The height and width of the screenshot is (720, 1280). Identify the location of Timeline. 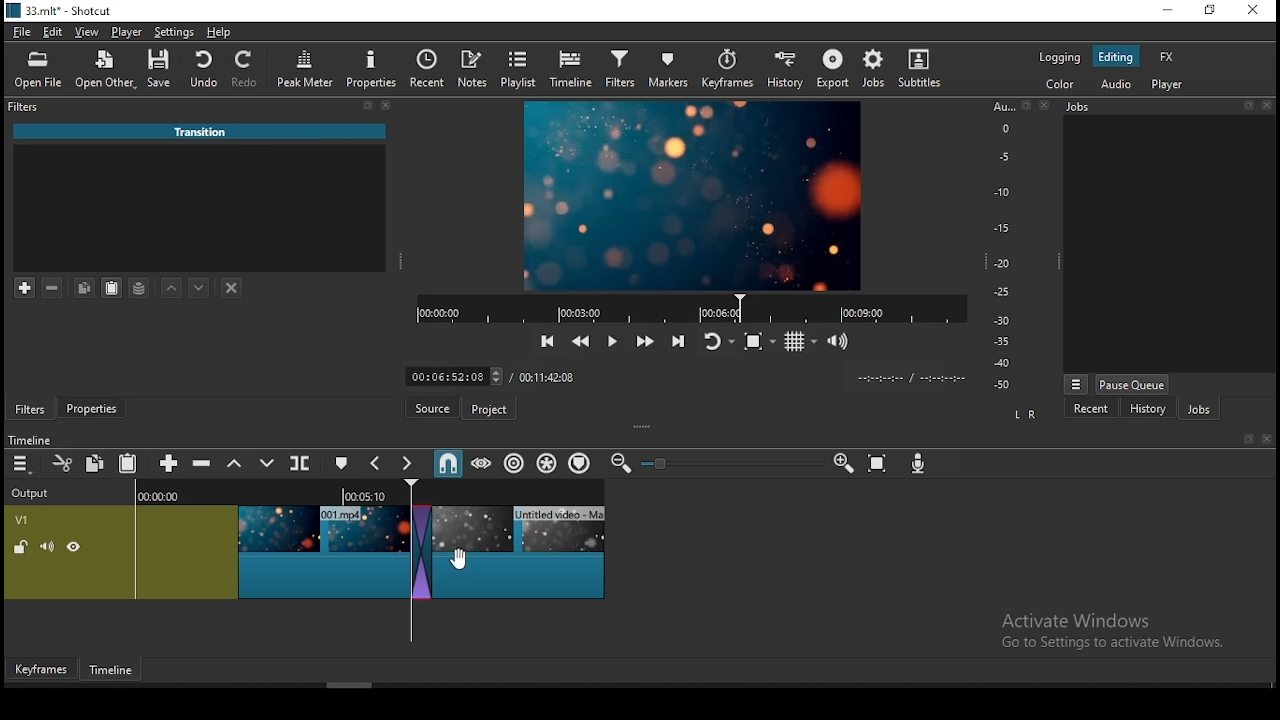
(114, 666).